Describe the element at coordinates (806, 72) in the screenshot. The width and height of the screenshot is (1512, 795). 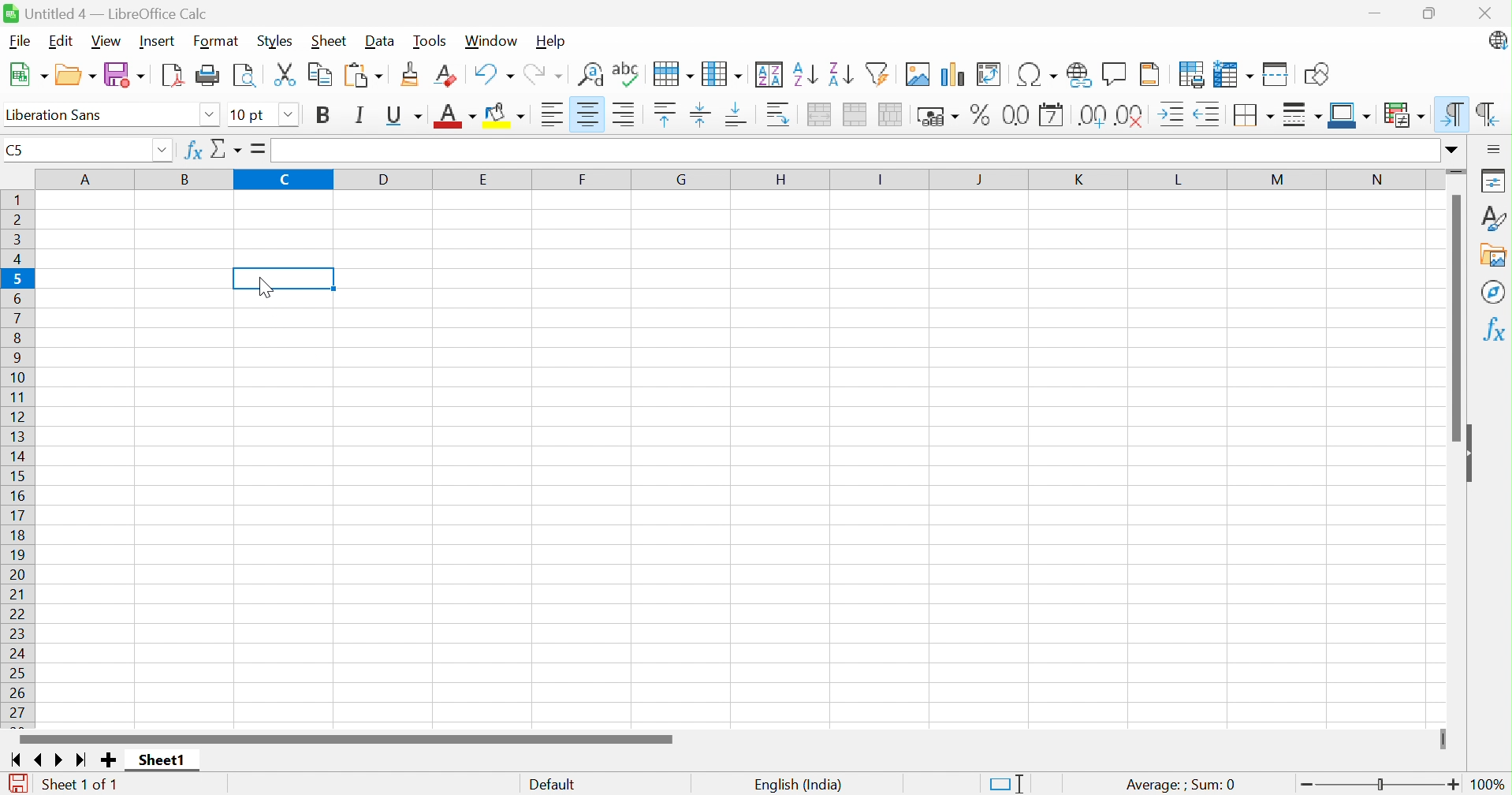
I see `Sort Ascending` at that location.